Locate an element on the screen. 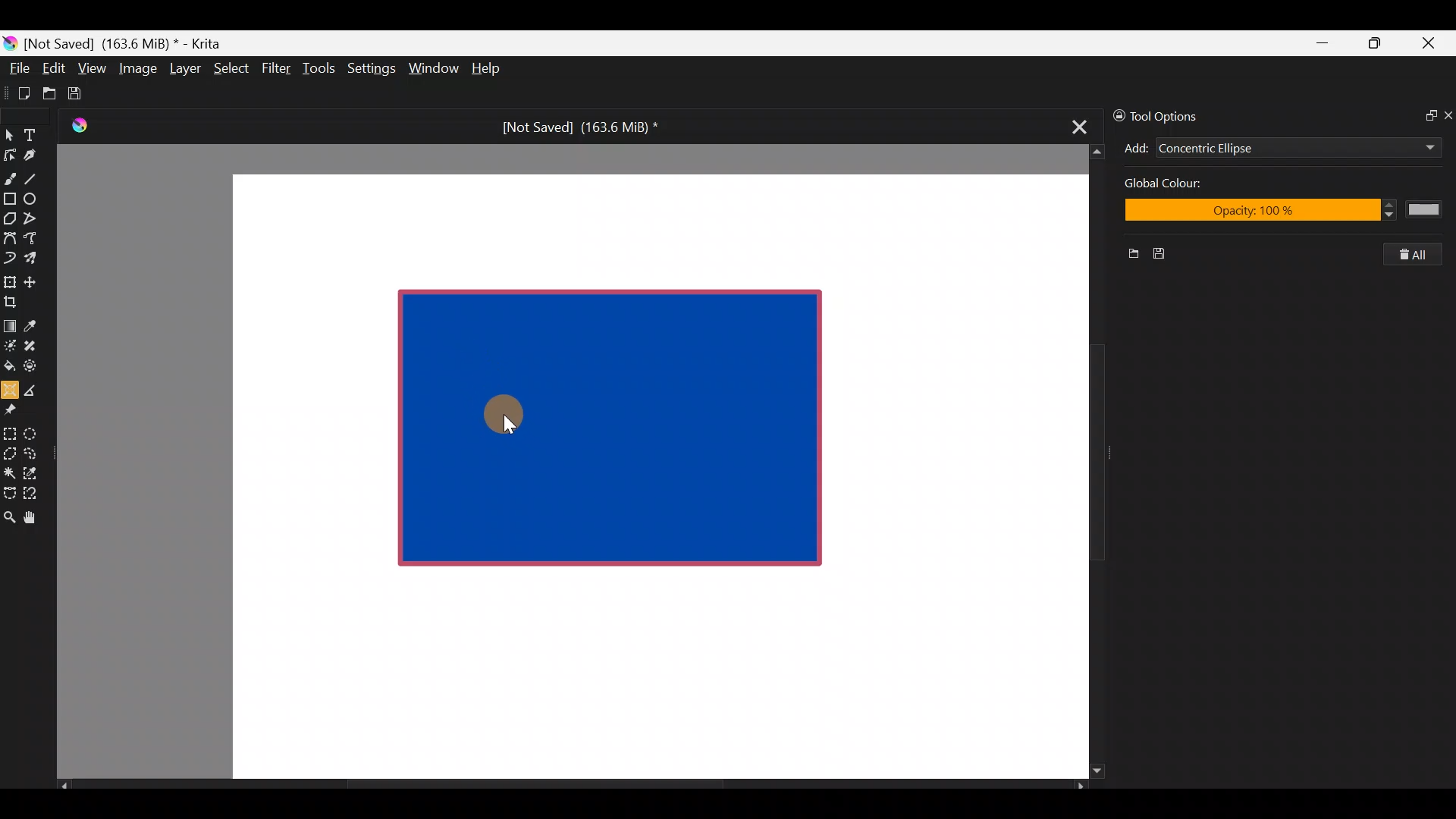 This screenshot has height=819, width=1456. Move a layer is located at coordinates (35, 280).